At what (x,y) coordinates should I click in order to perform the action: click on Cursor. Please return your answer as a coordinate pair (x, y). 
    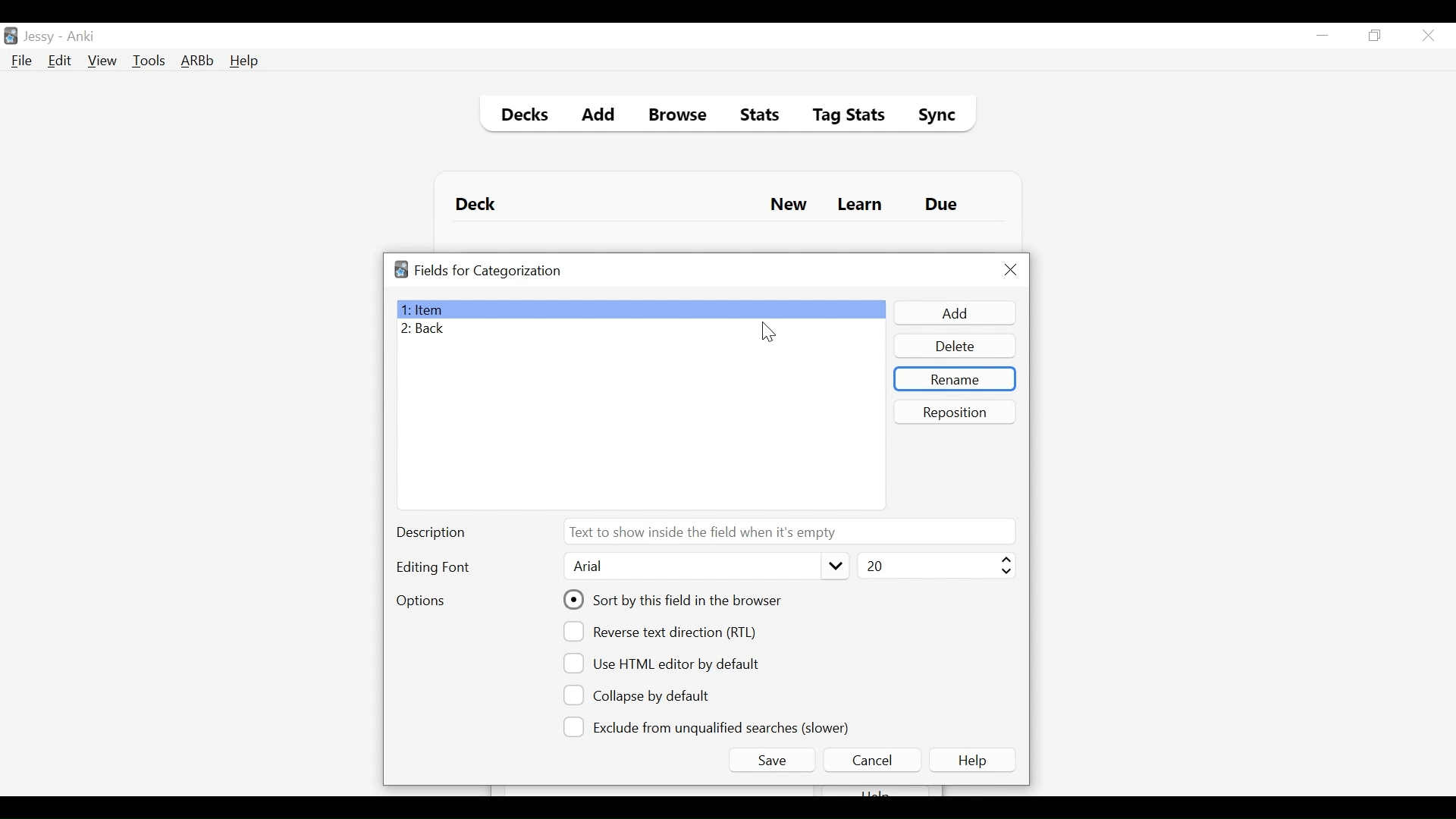
    Looking at the image, I should click on (768, 331).